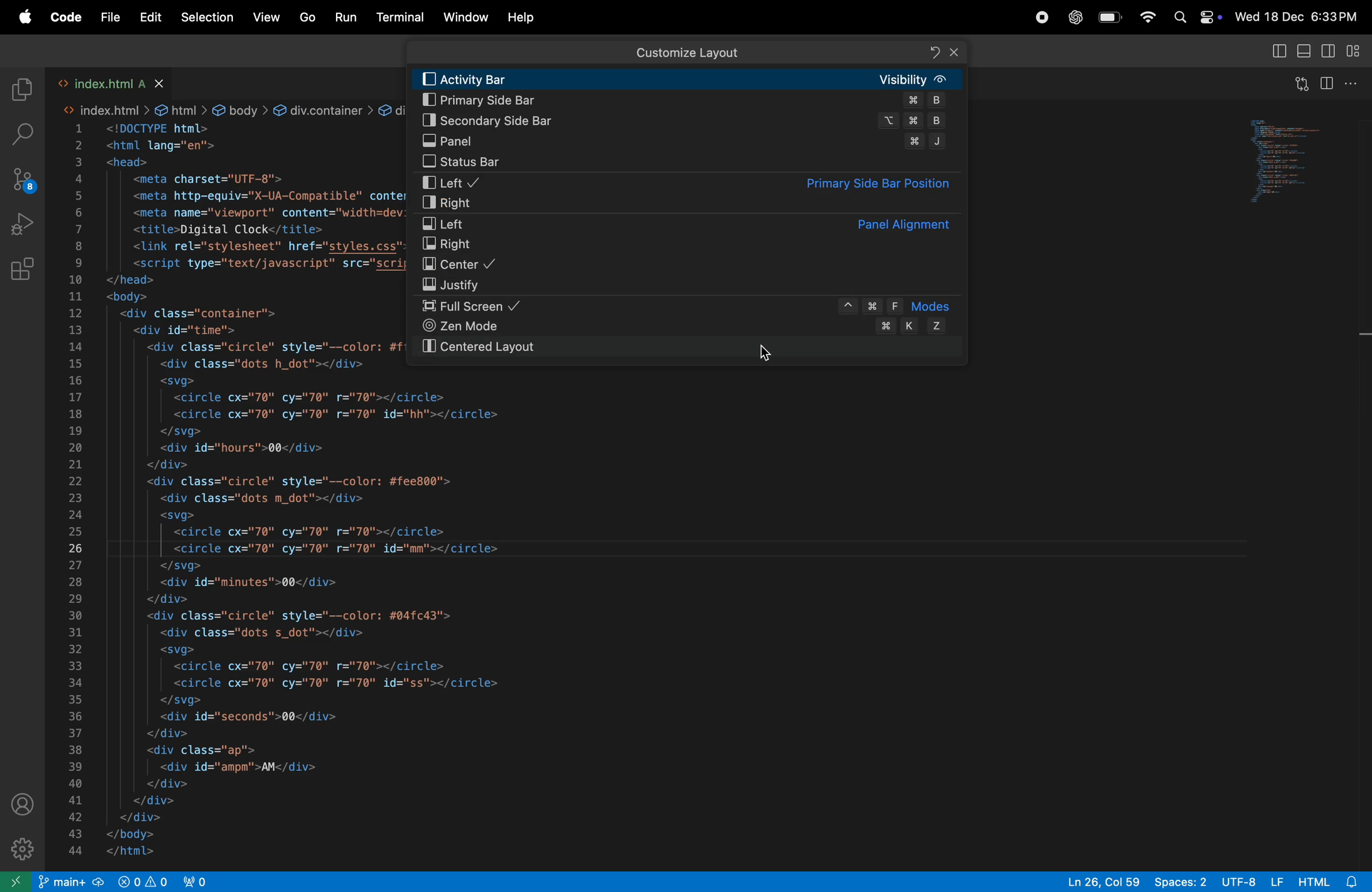 This screenshot has width=1372, height=892. Describe the element at coordinates (1178, 882) in the screenshot. I see `spaces: 2` at that location.